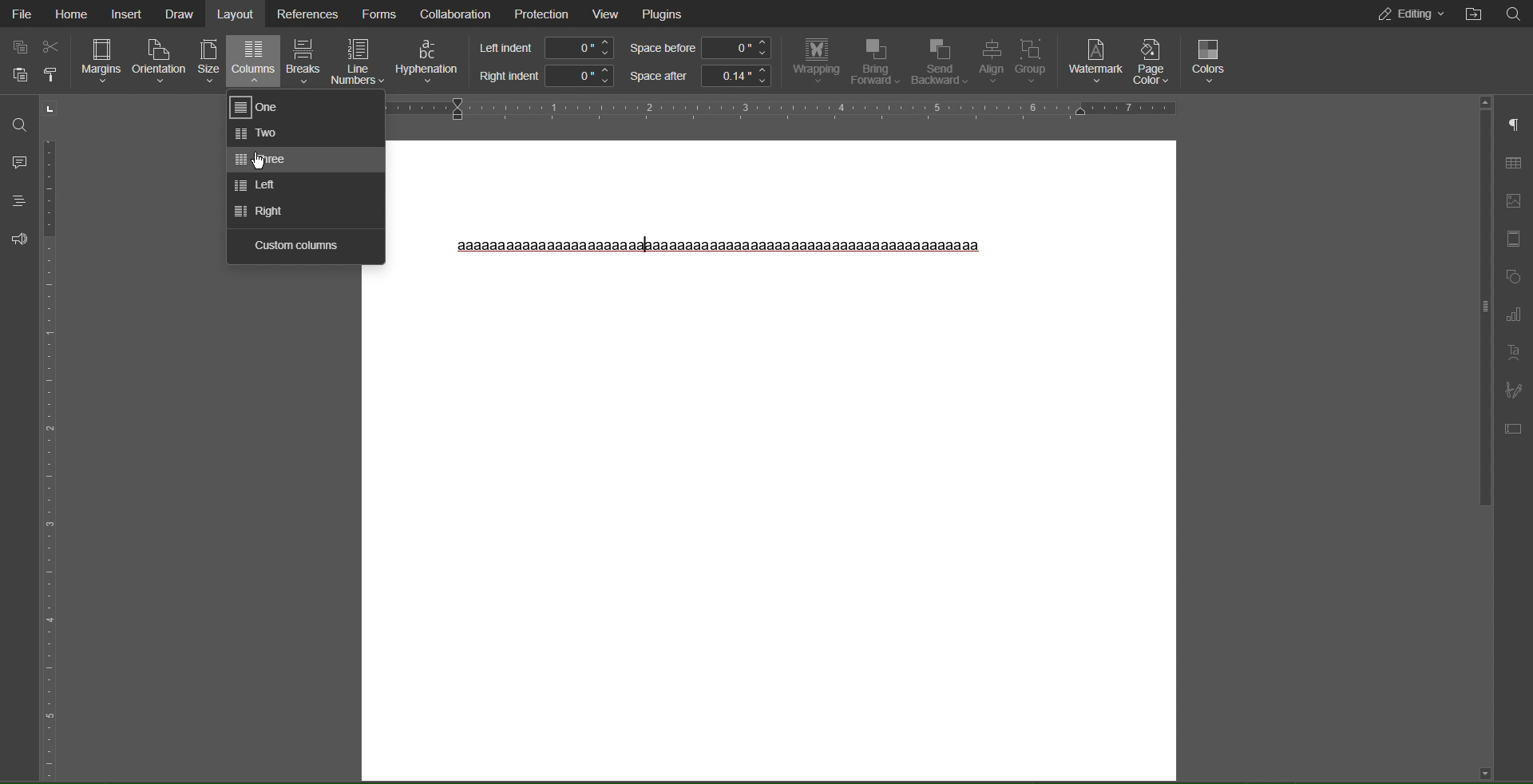 Image resolution: width=1533 pixels, height=784 pixels. Describe the element at coordinates (1514, 352) in the screenshot. I see `Text Art` at that location.